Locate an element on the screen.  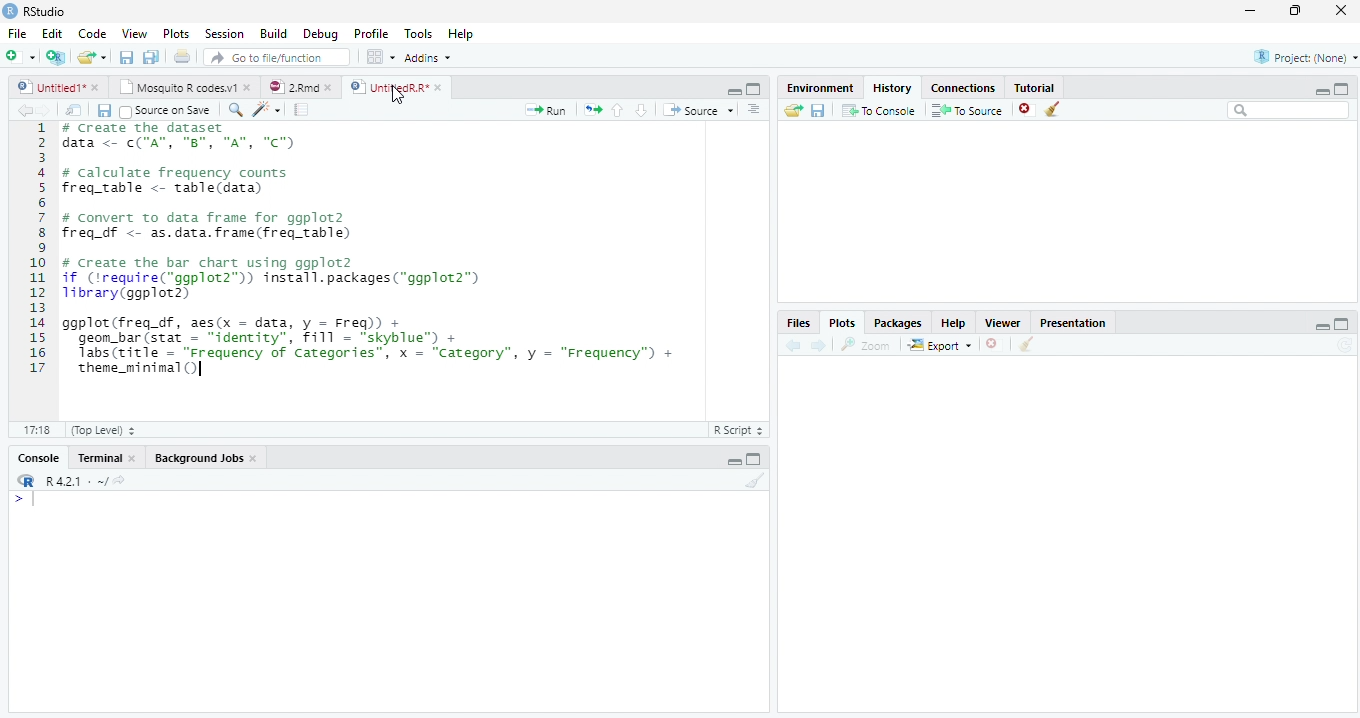
Open an existing file is located at coordinates (93, 58).